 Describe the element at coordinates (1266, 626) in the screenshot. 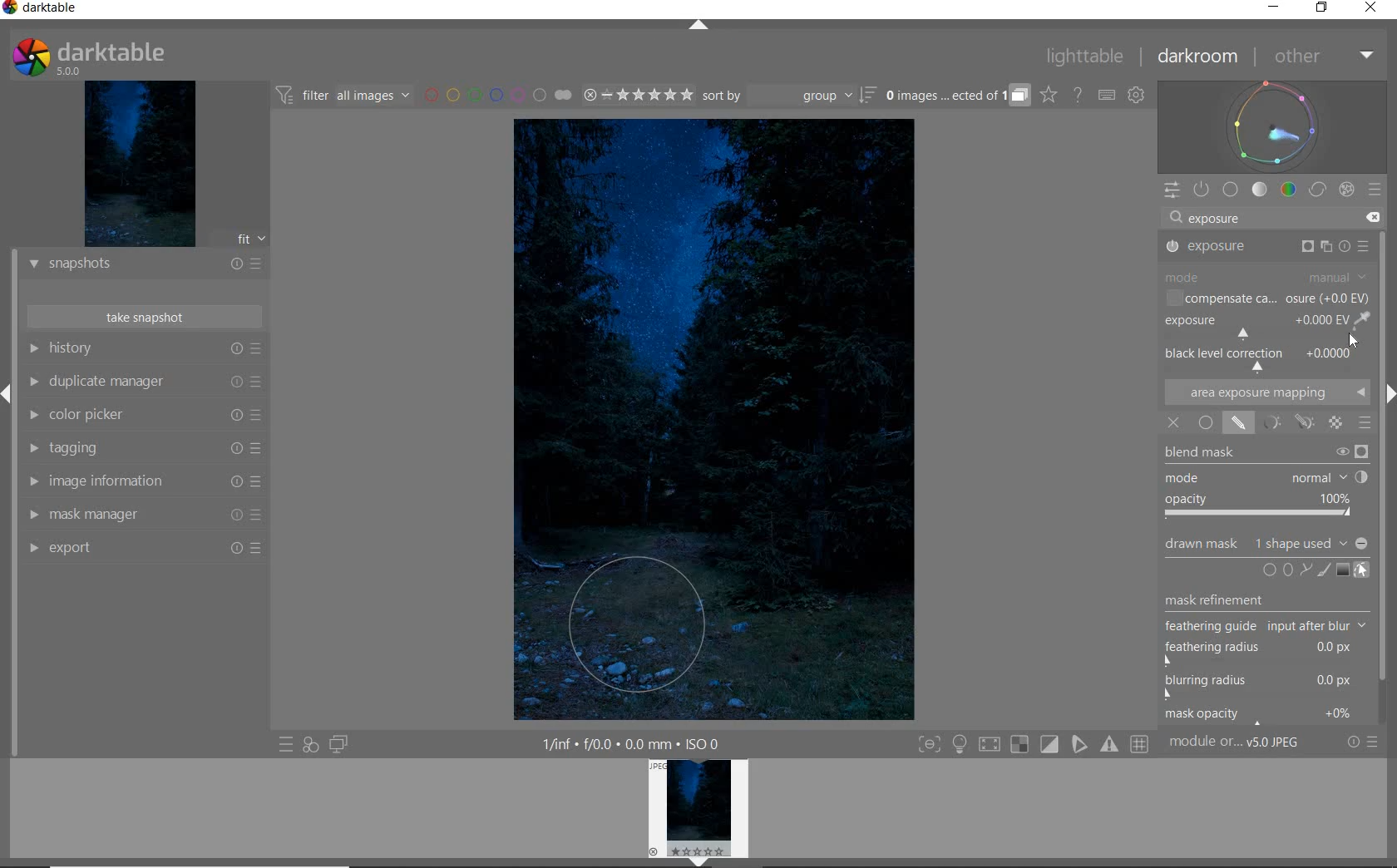

I see `feathering guide input after blur` at that location.